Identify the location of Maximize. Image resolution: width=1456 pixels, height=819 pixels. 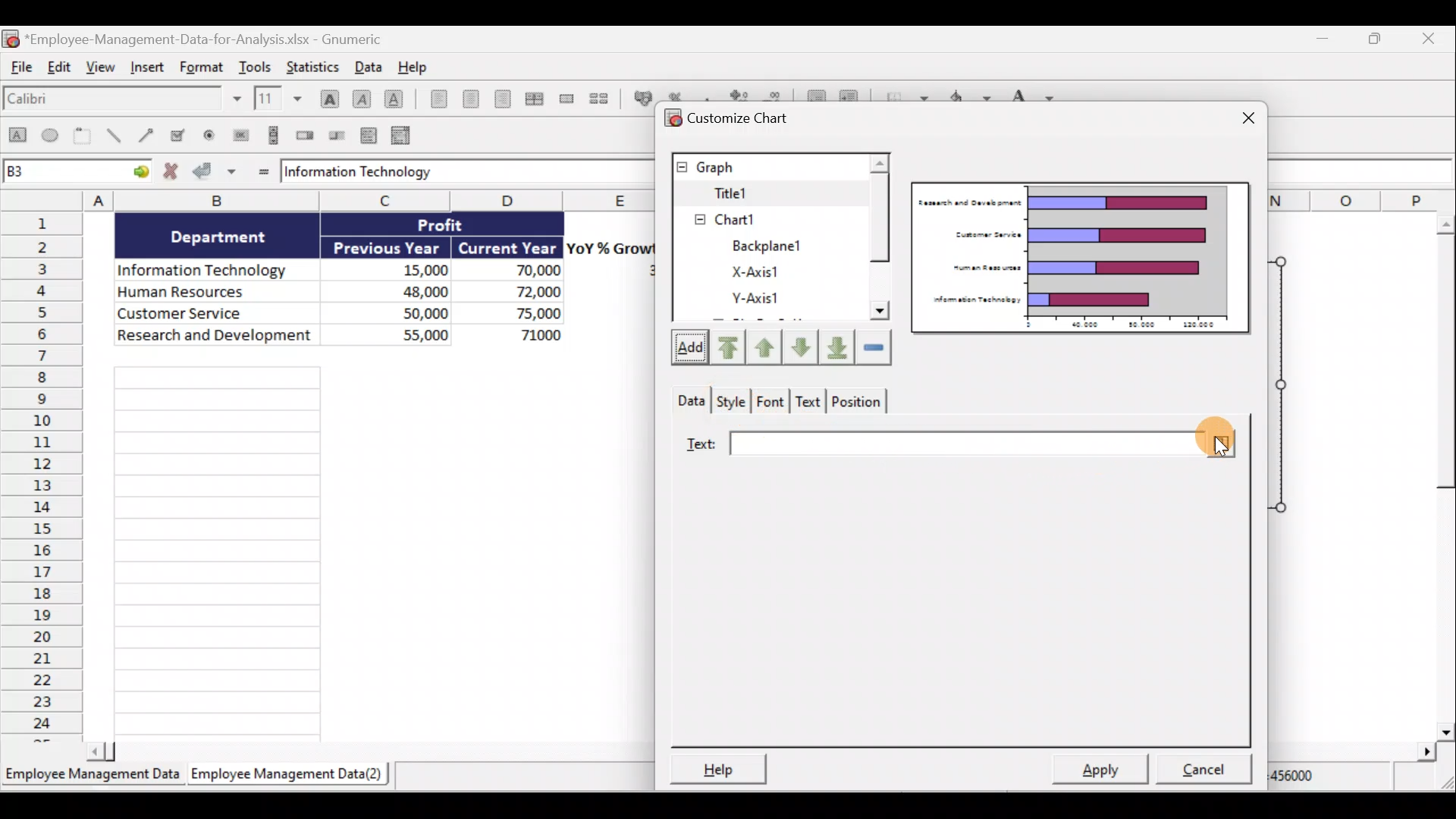
(1379, 39).